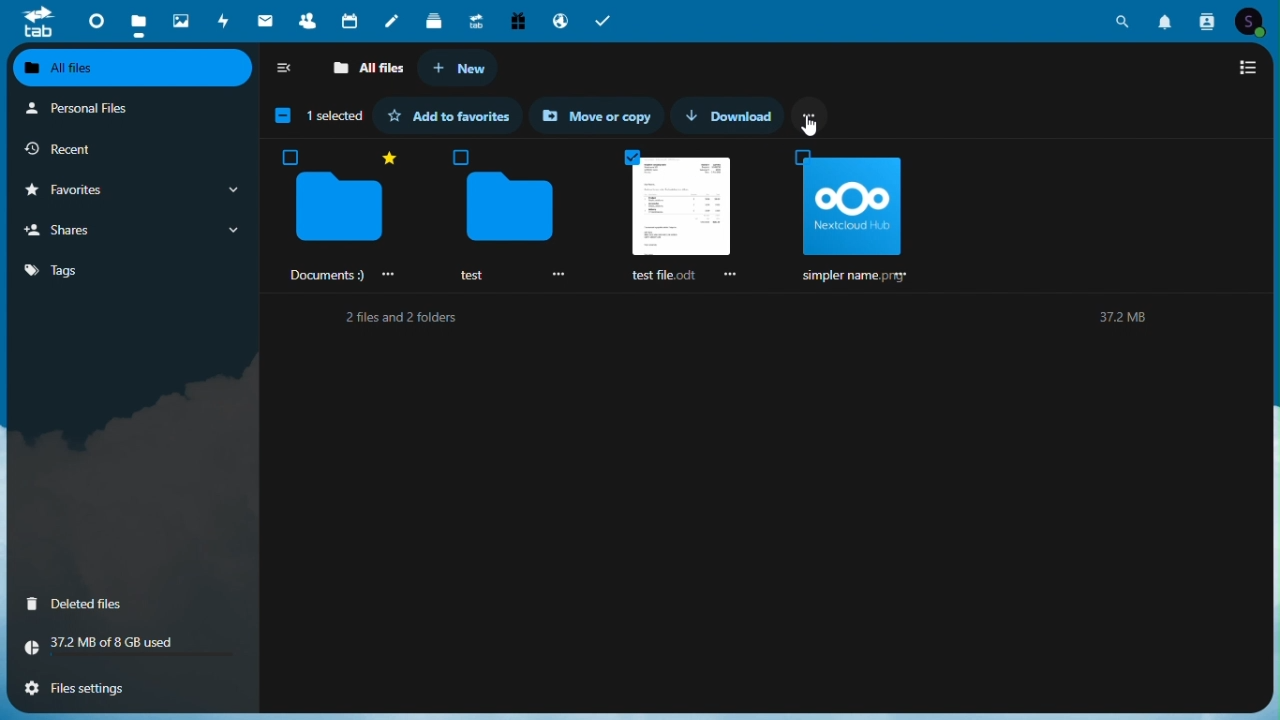  Describe the element at coordinates (138, 19) in the screenshot. I see `Files` at that location.